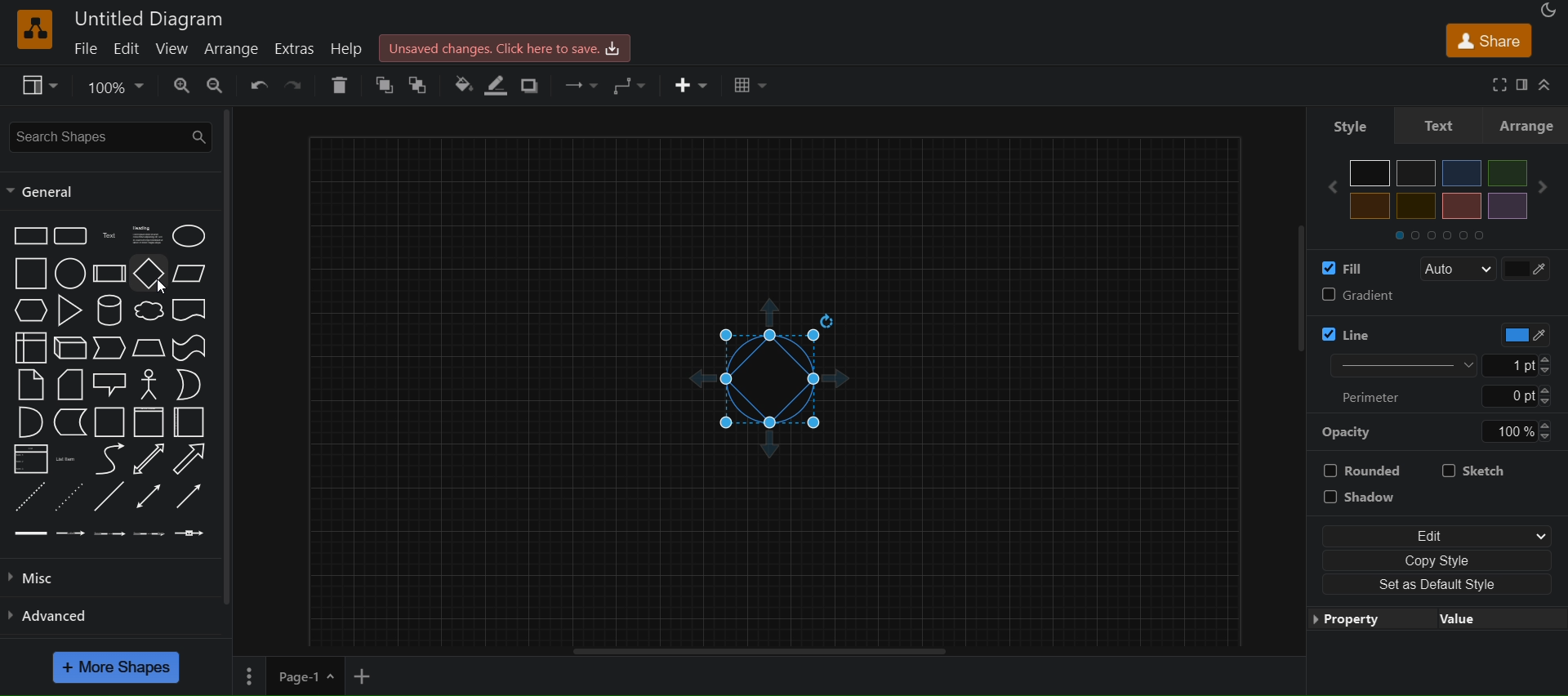 This screenshot has height=696, width=1568. Describe the element at coordinates (30, 274) in the screenshot. I see `square` at that location.